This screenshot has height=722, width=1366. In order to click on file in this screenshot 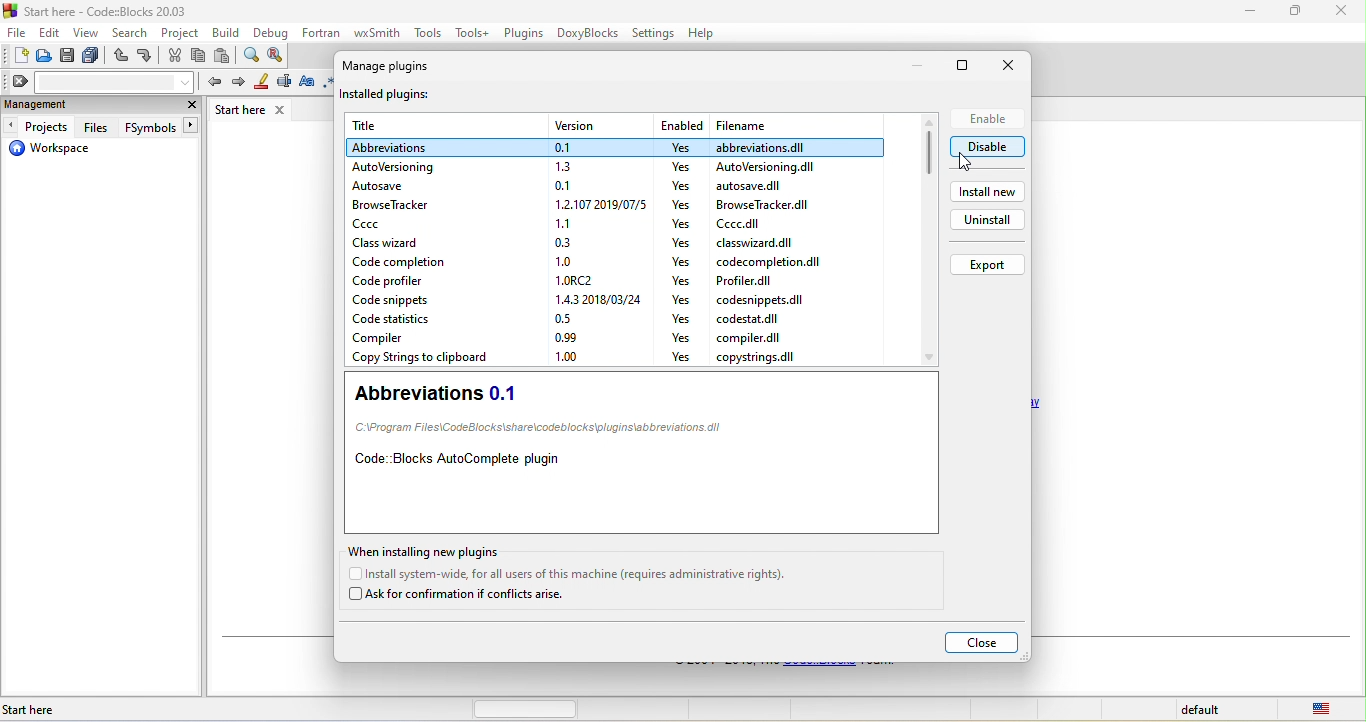, I will do `click(758, 357)`.